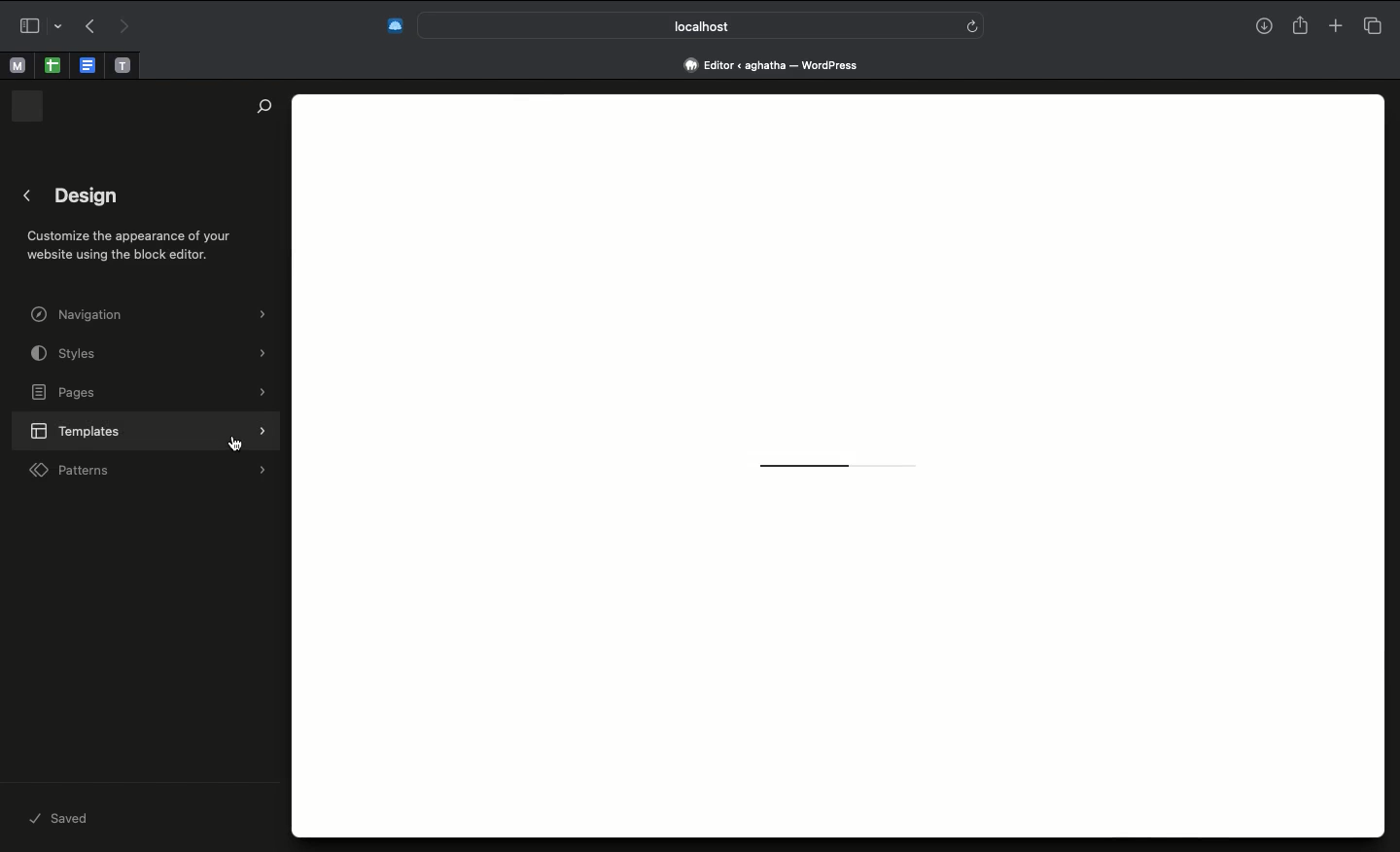  Describe the element at coordinates (86, 66) in the screenshot. I see `open tab, google docs` at that location.